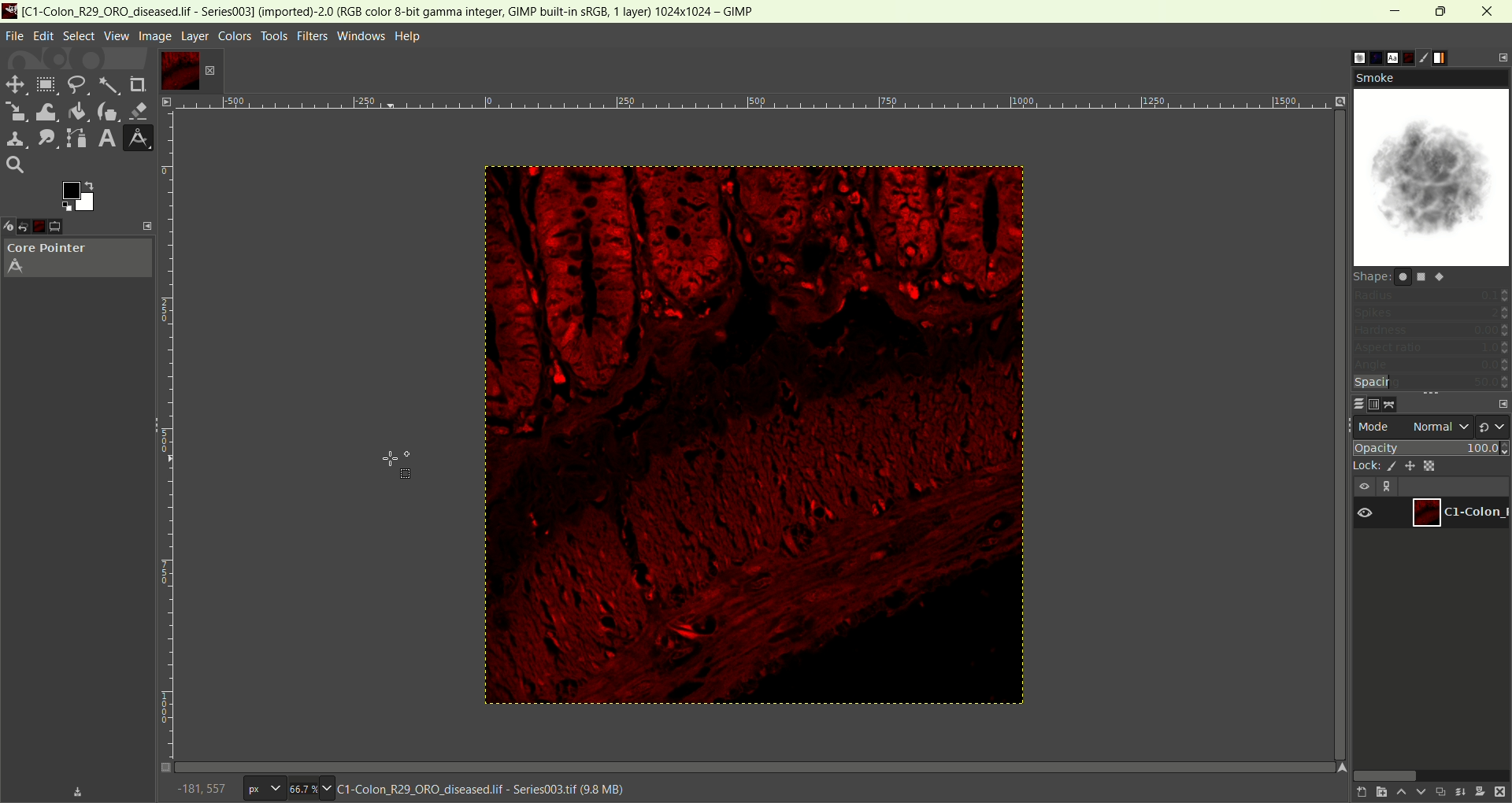  I want to click on merge layer, so click(1460, 792).